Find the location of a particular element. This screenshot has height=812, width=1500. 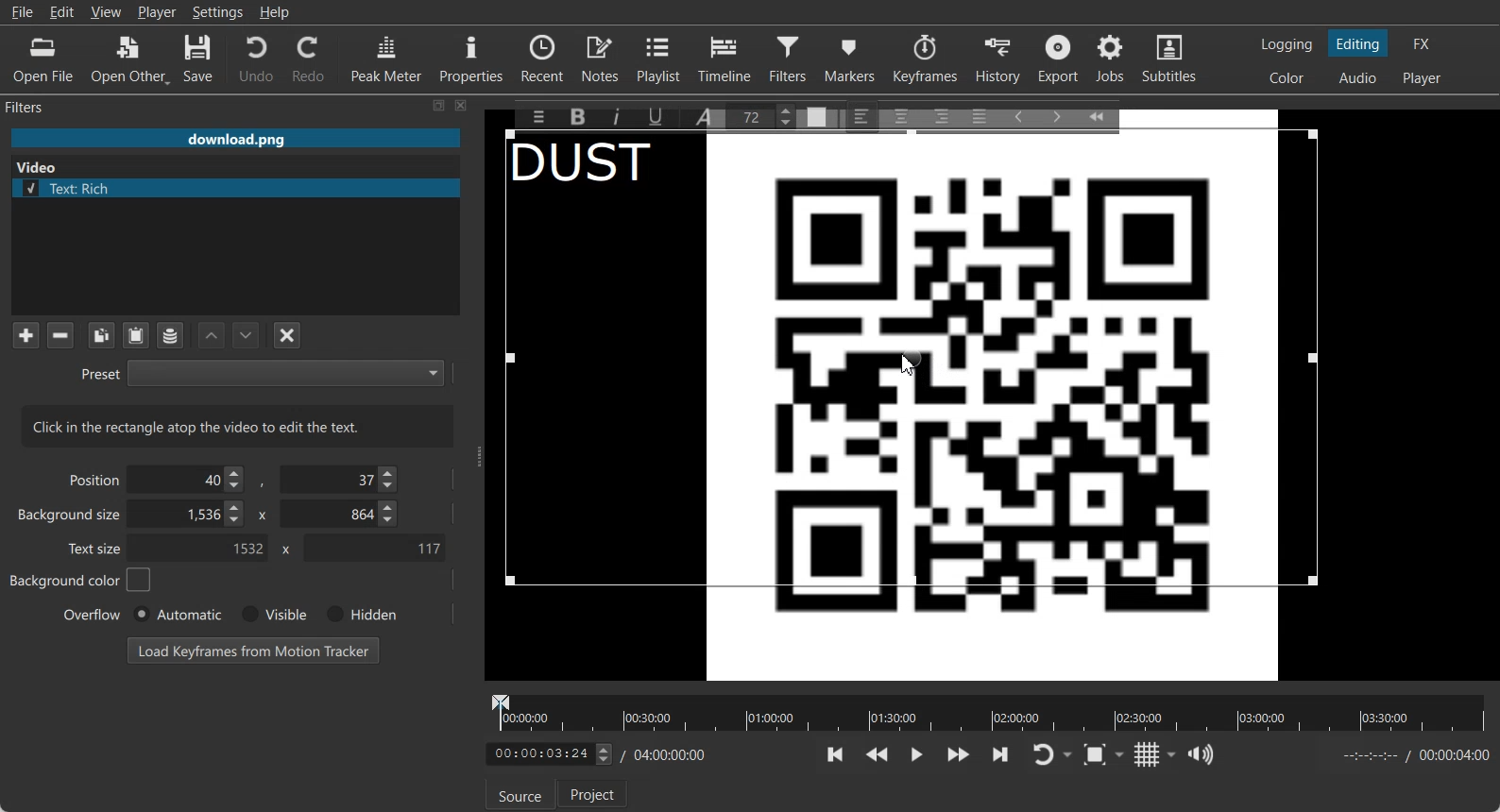

Text is located at coordinates (238, 426).